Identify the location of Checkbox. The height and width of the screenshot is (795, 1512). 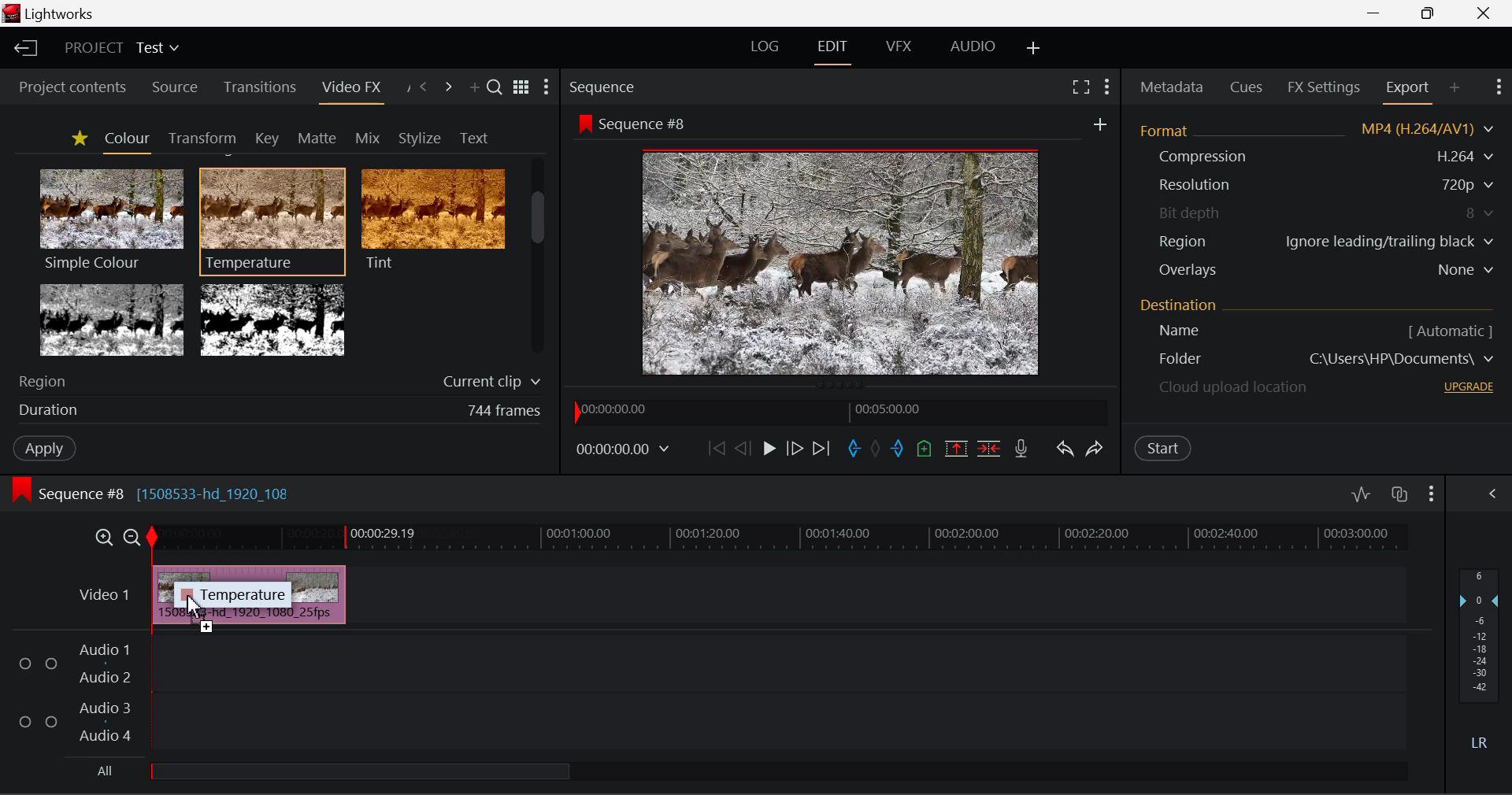
(25, 720).